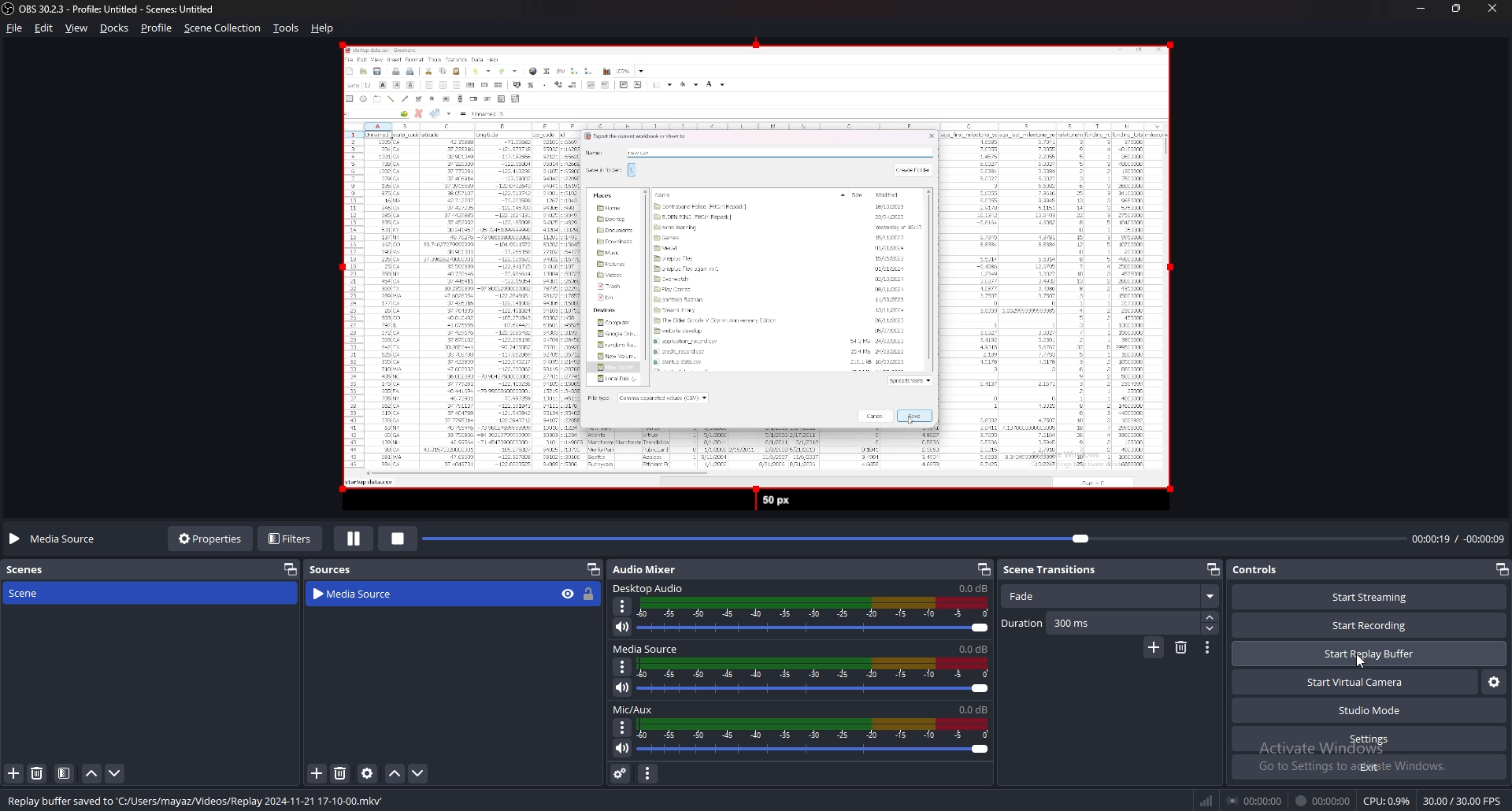 This screenshot has width=1512, height=811. I want to click on 00:00:00, so click(1254, 800).